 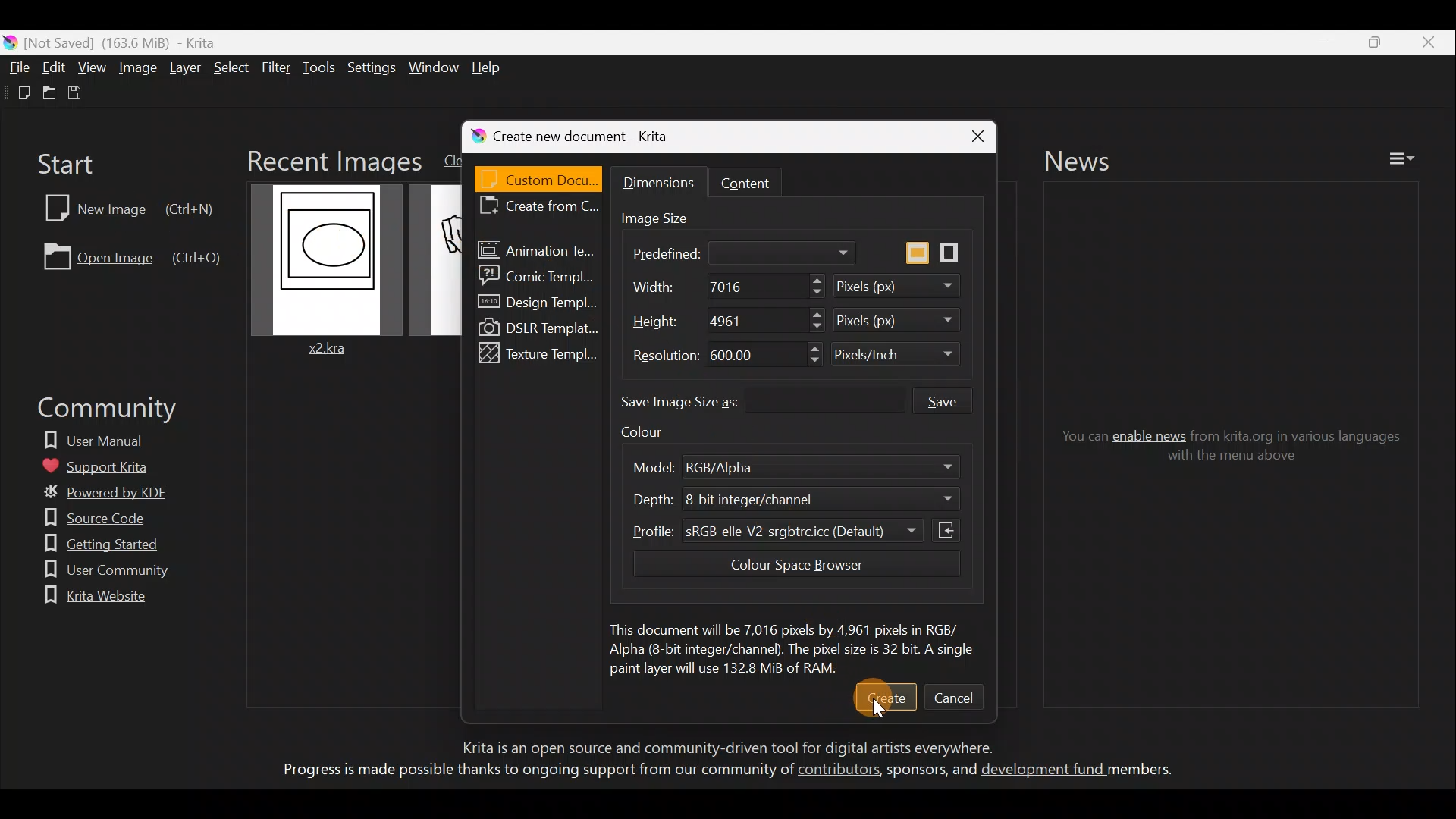 I want to click on Settings, so click(x=369, y=67).